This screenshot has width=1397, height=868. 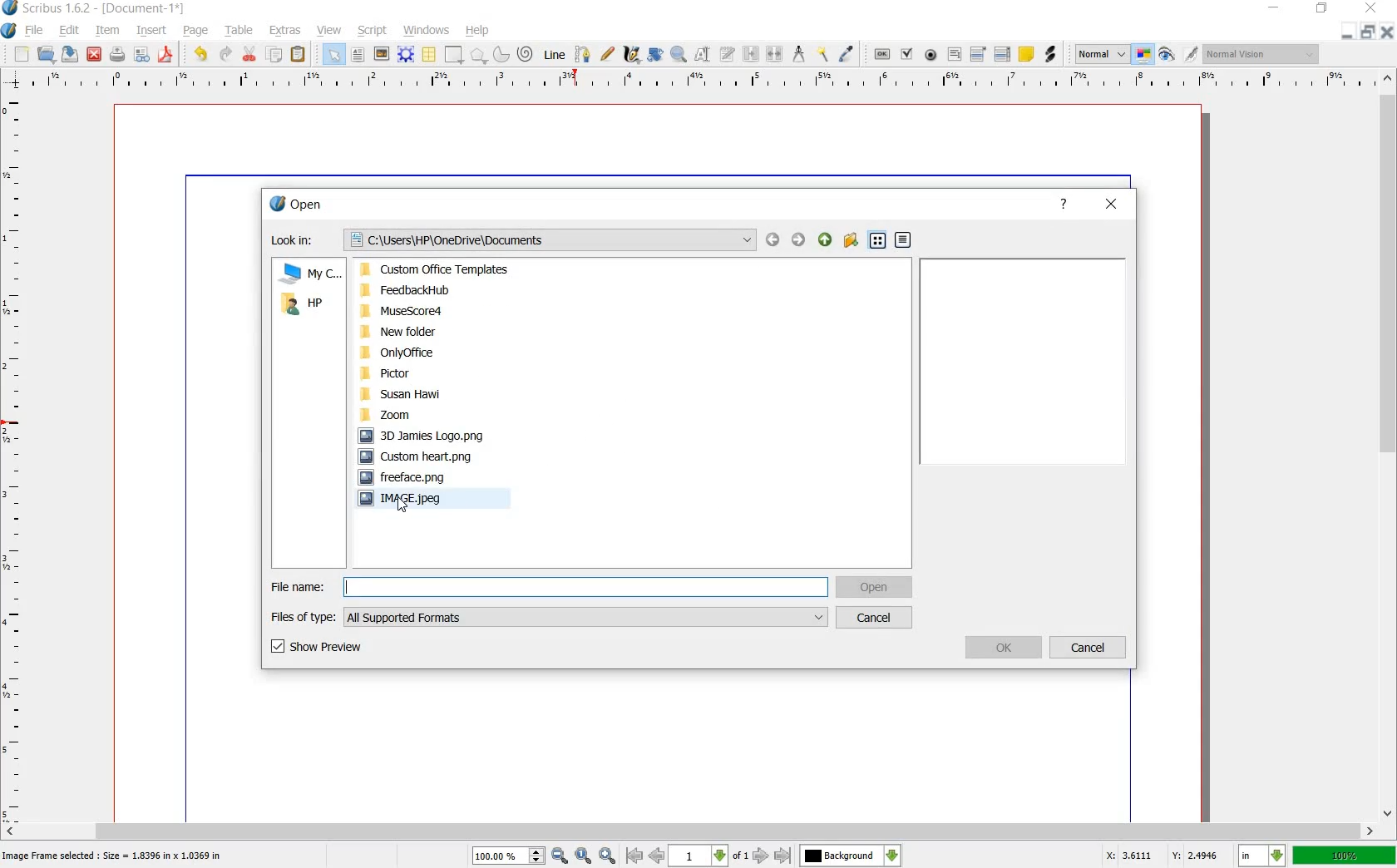 I want to click on polygon, so click(x=478, y=55).